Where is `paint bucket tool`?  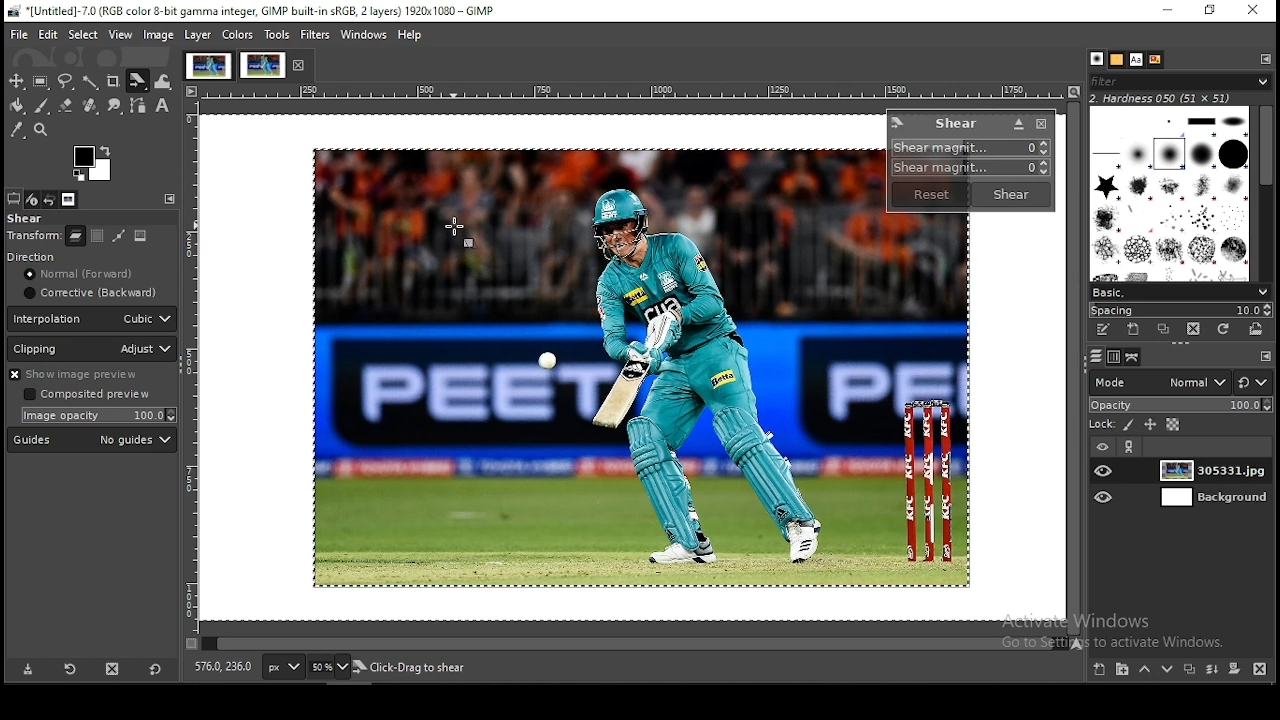 paint bucket tool is located at coordinates (19, 107).